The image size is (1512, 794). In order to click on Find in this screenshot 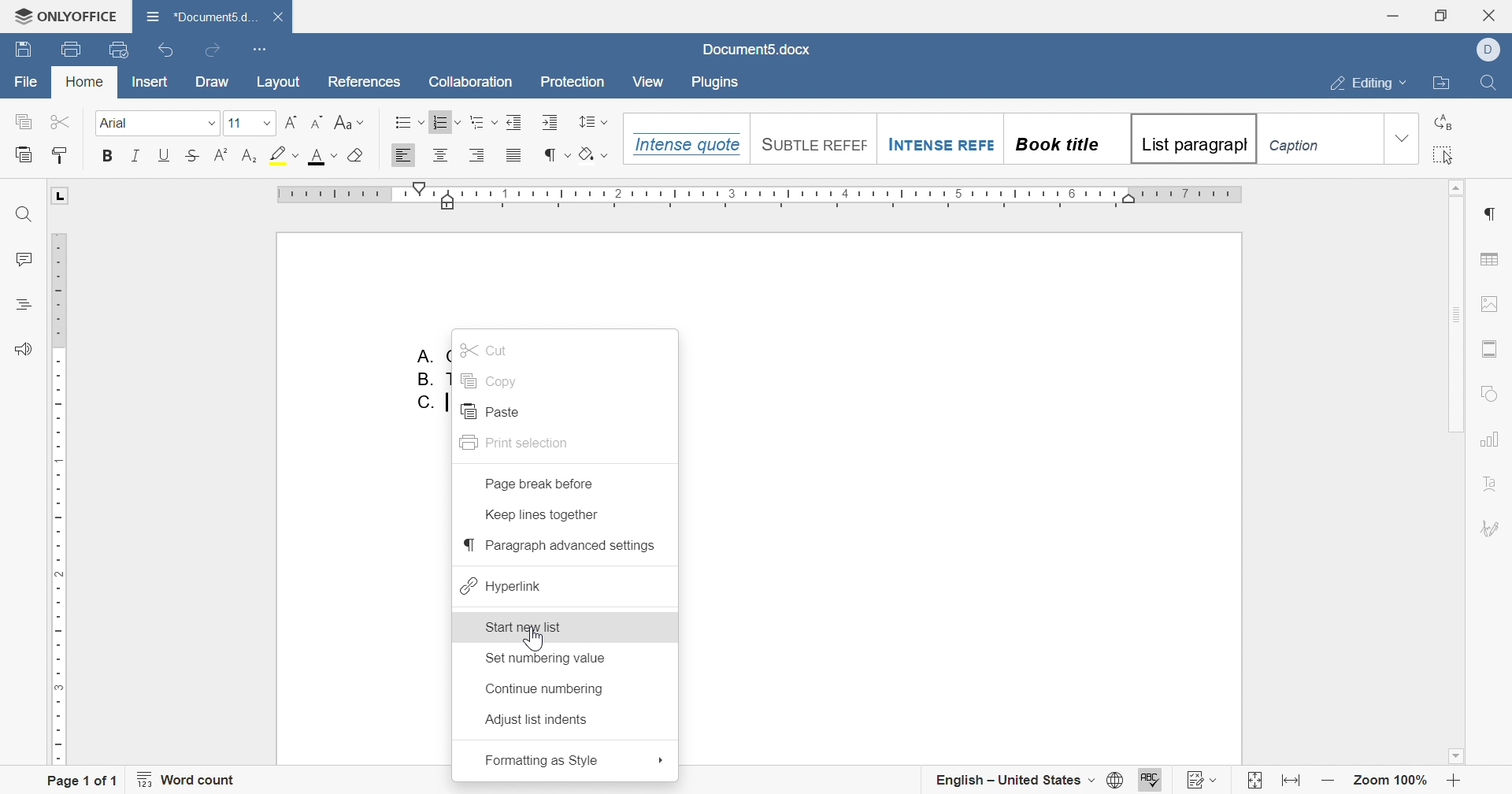, I will do `click(22, 214)`.